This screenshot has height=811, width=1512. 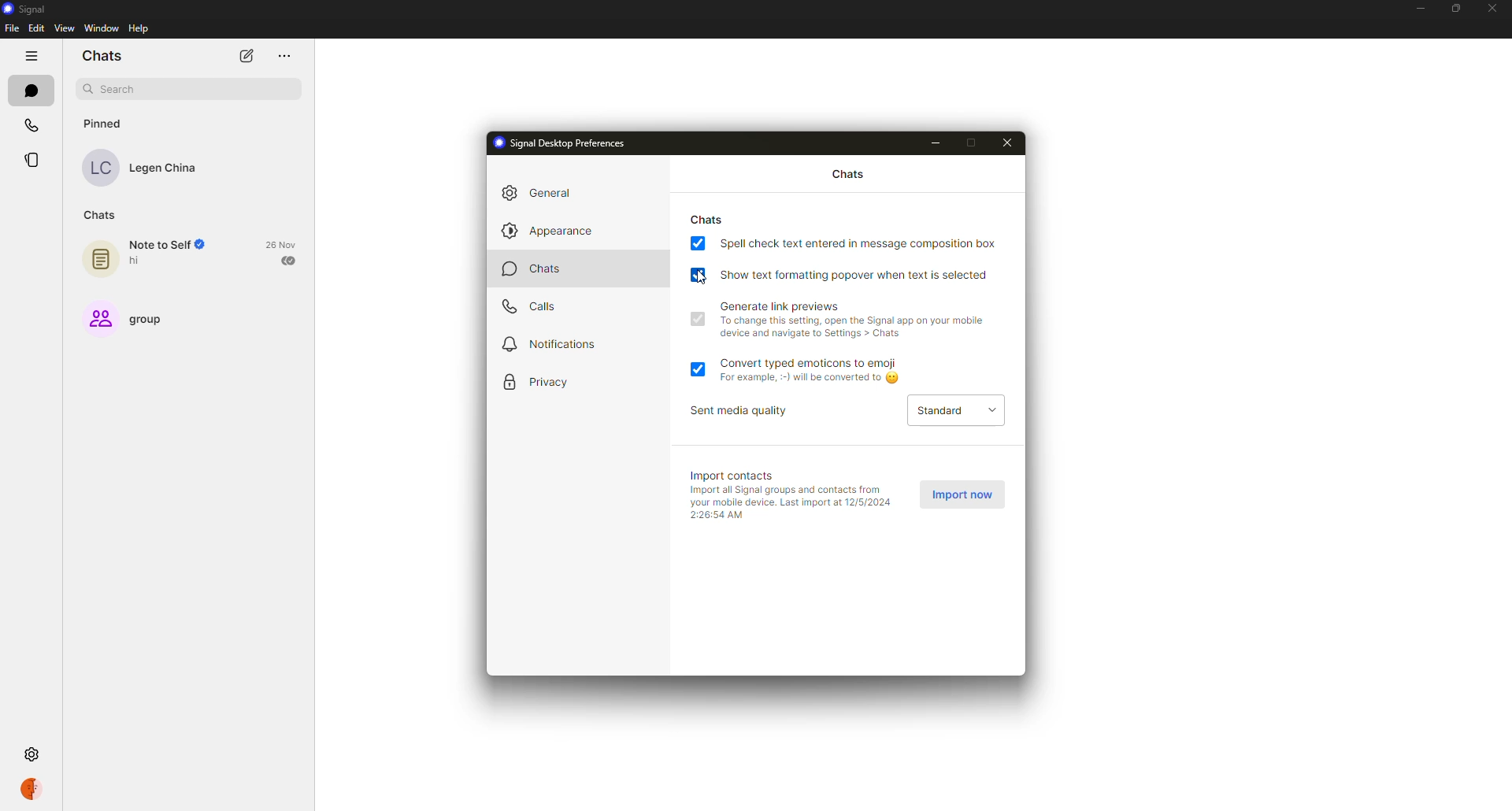 What do you see at coordinates (698, 274) in the screenshot?
I see `enabled` at bounding box center [698, 274].